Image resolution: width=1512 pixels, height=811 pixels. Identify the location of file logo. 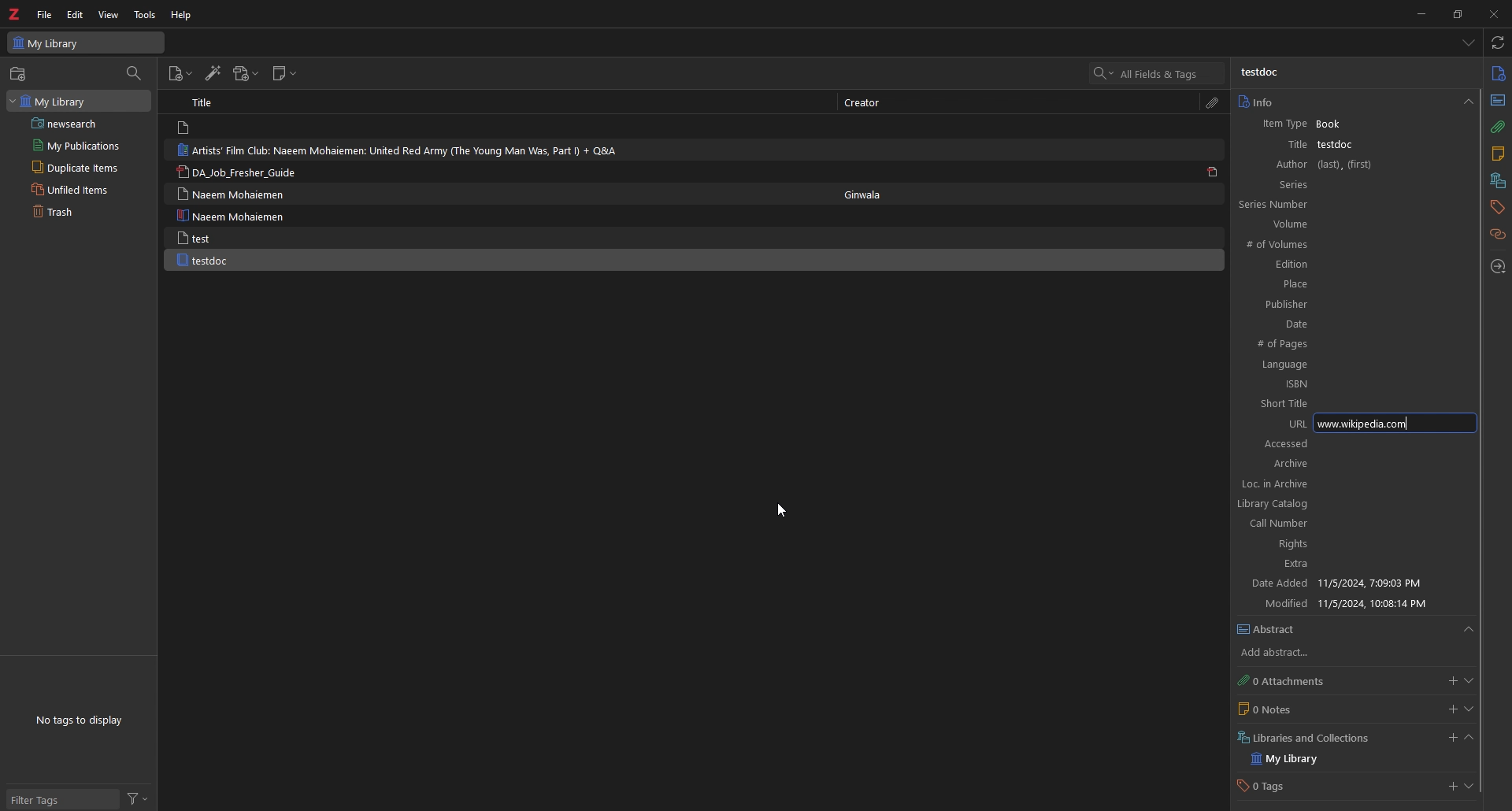
(185, 128).